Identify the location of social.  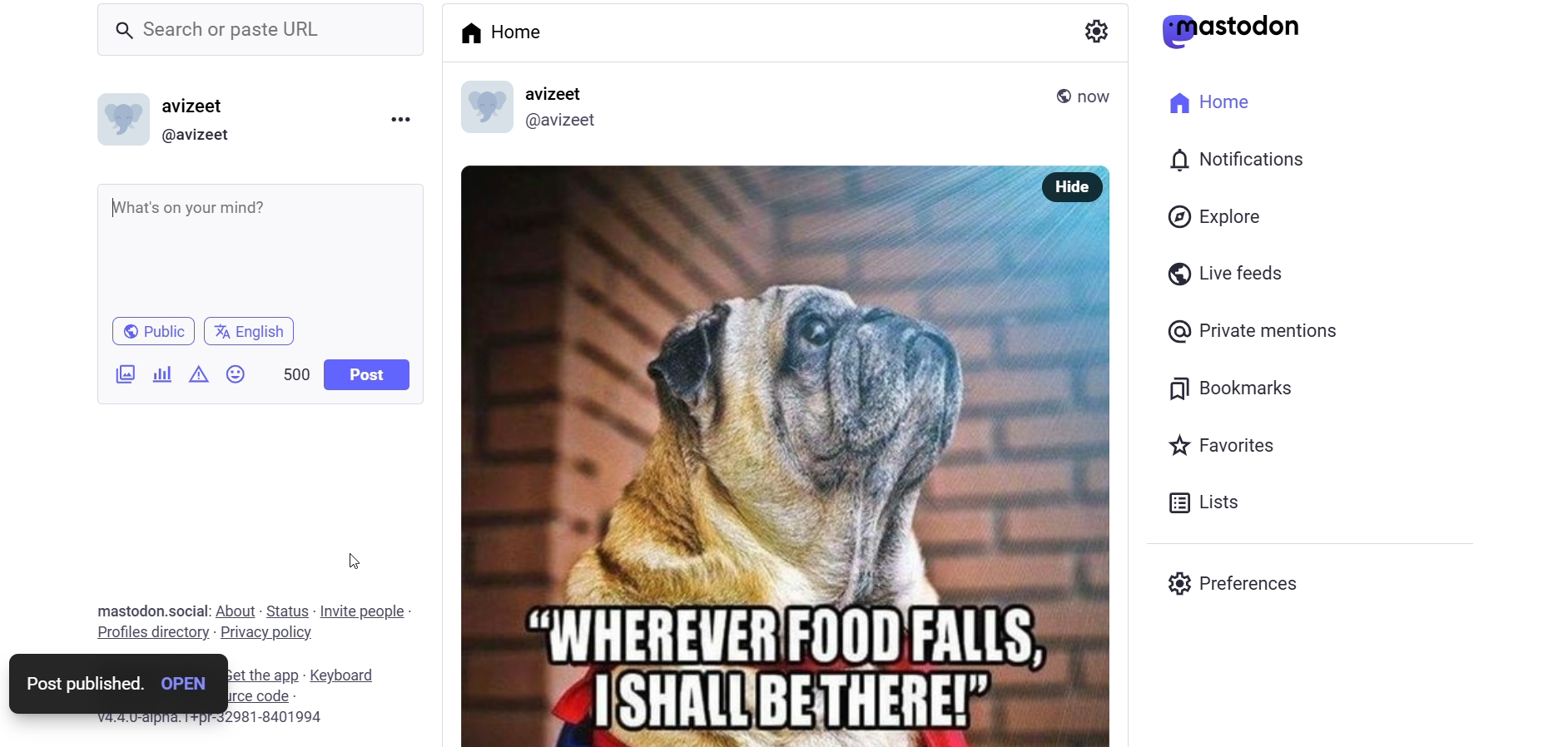
(188, 611).